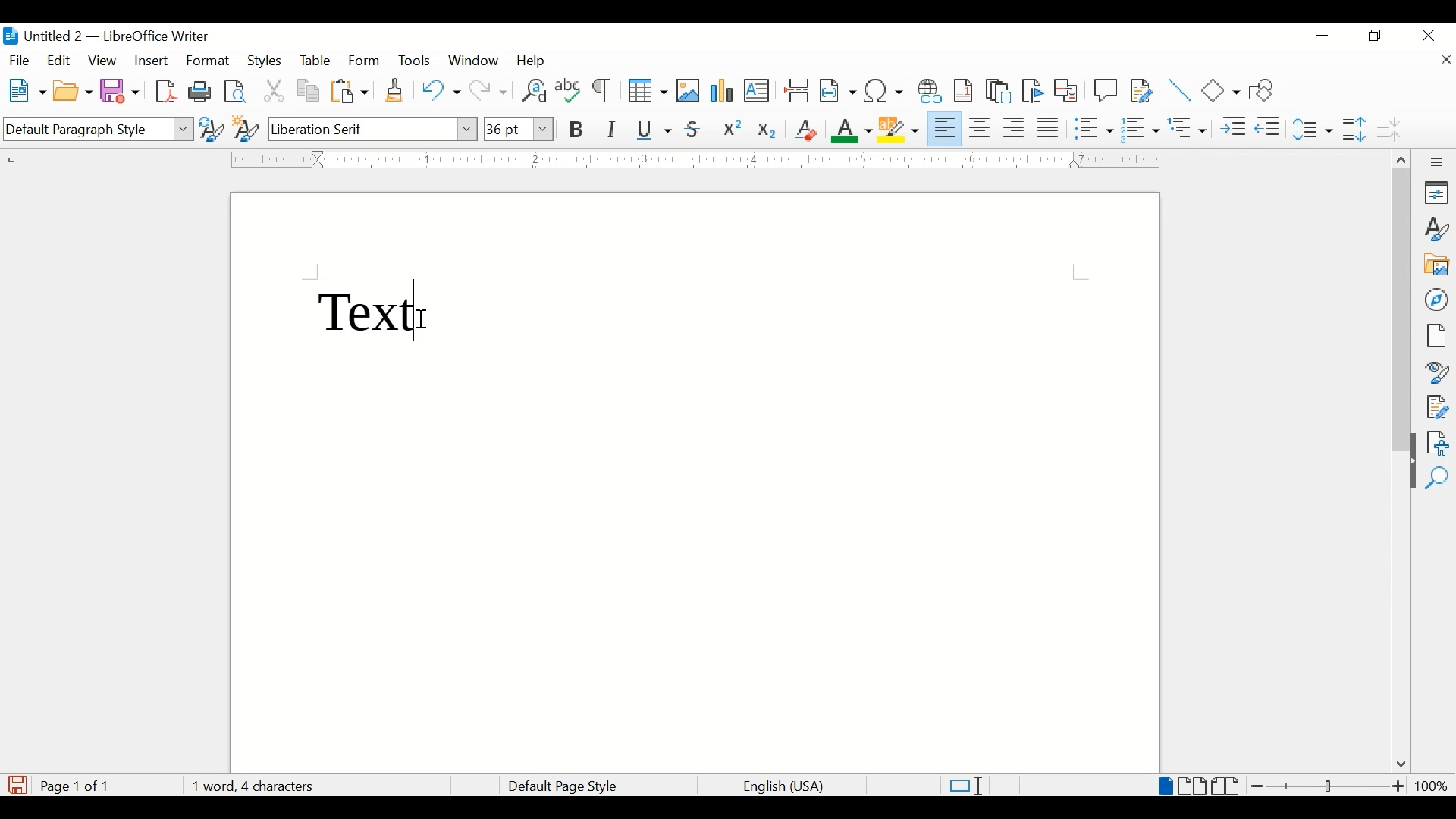 The image size is (1456, 819). I want to click on font name, so click(374, 128).